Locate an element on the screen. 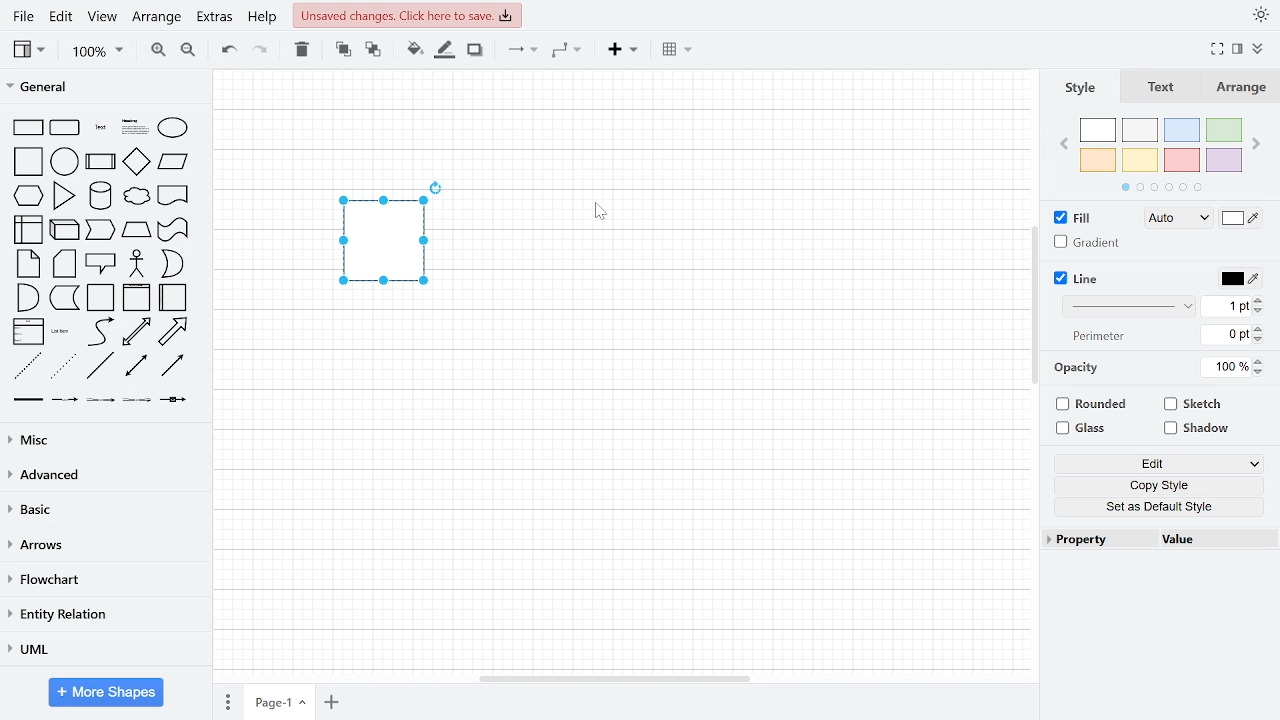 The width and height of the screenshot is (1280, 720). line is located at coordinates (1082, 277).